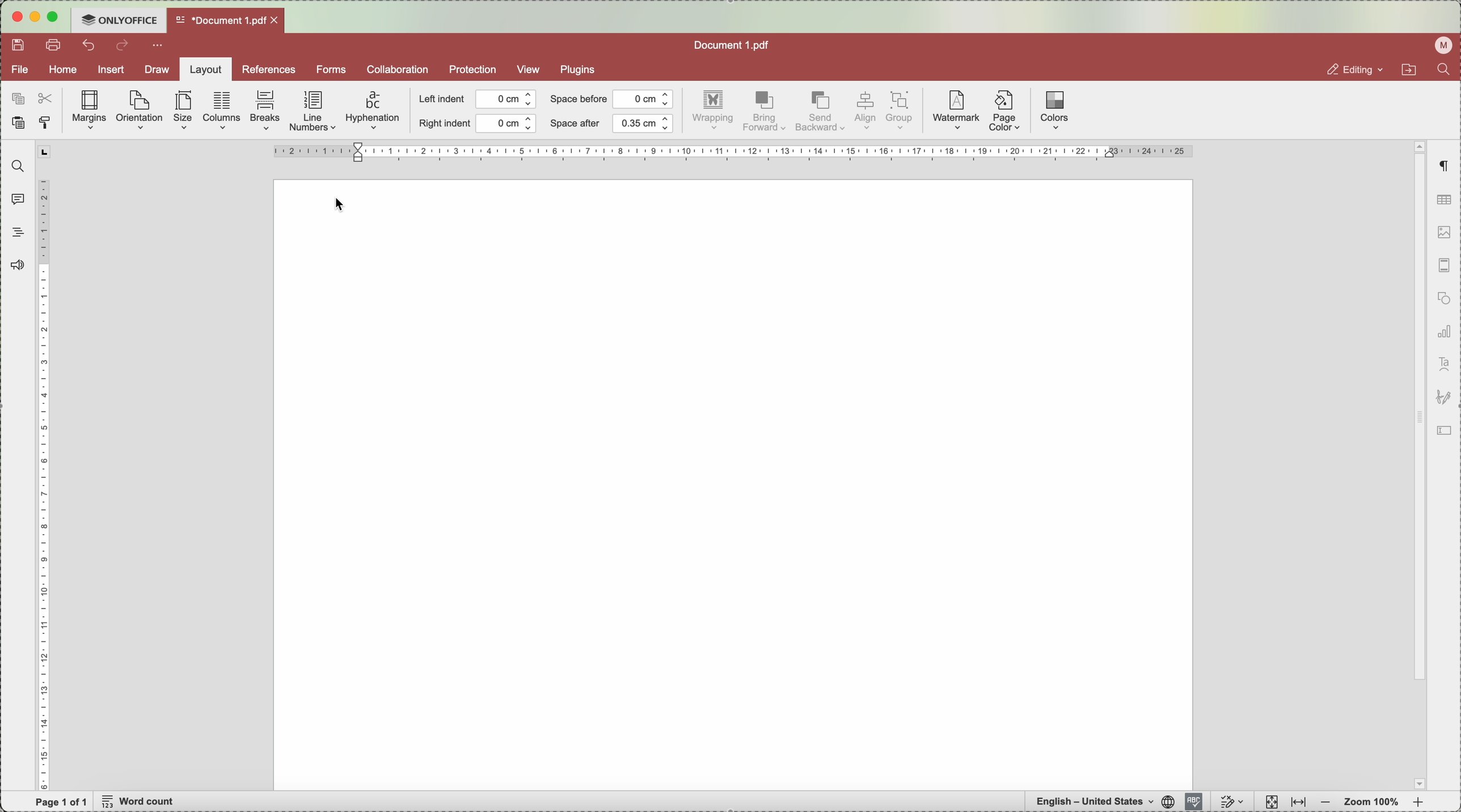 The width and height of the screenshot is (1461, 812). I want to click on right indent, so click(477, 124).